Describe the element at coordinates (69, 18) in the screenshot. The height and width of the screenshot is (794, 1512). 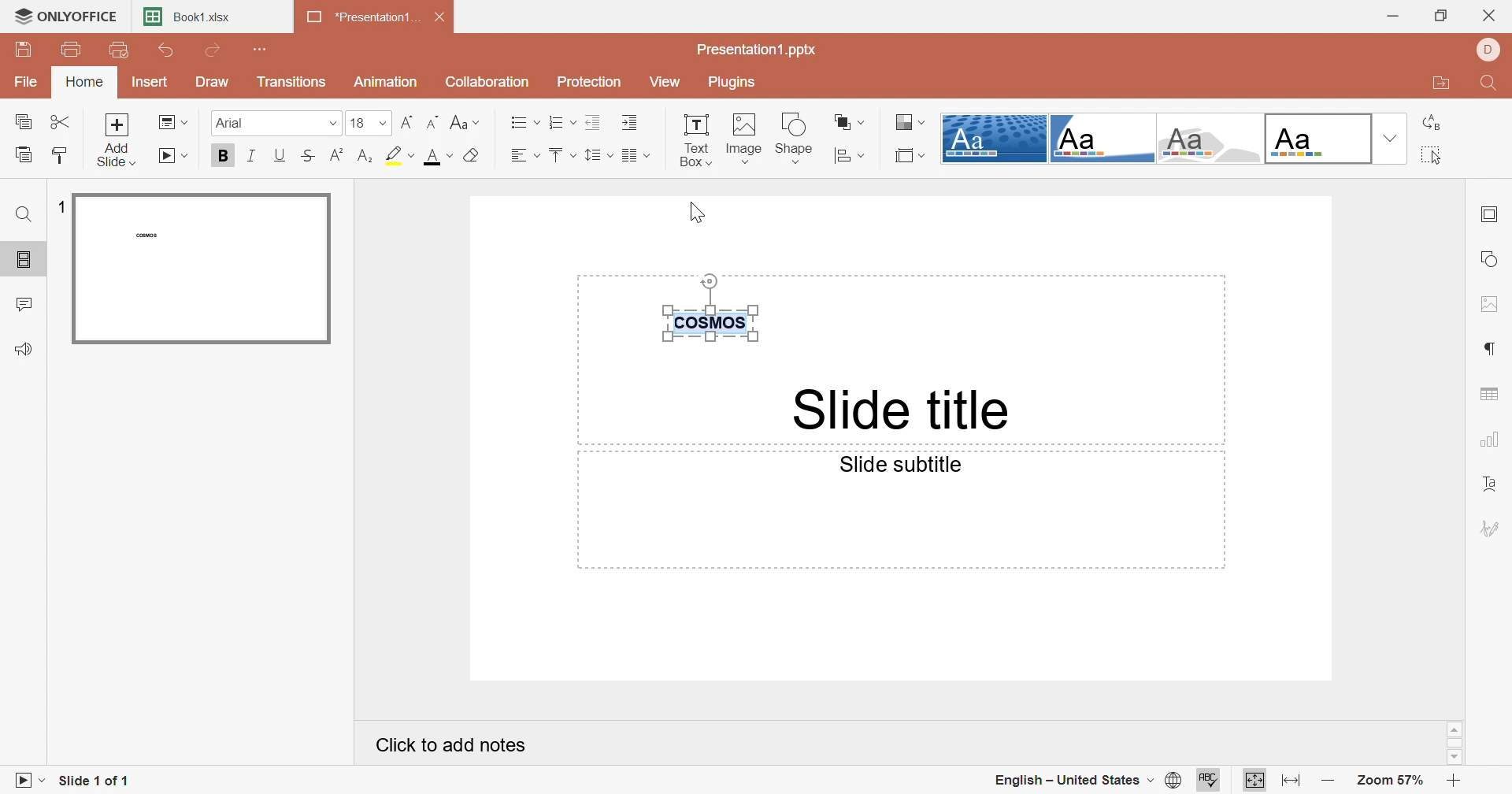
I see `ONLYOFFICE` at that location.